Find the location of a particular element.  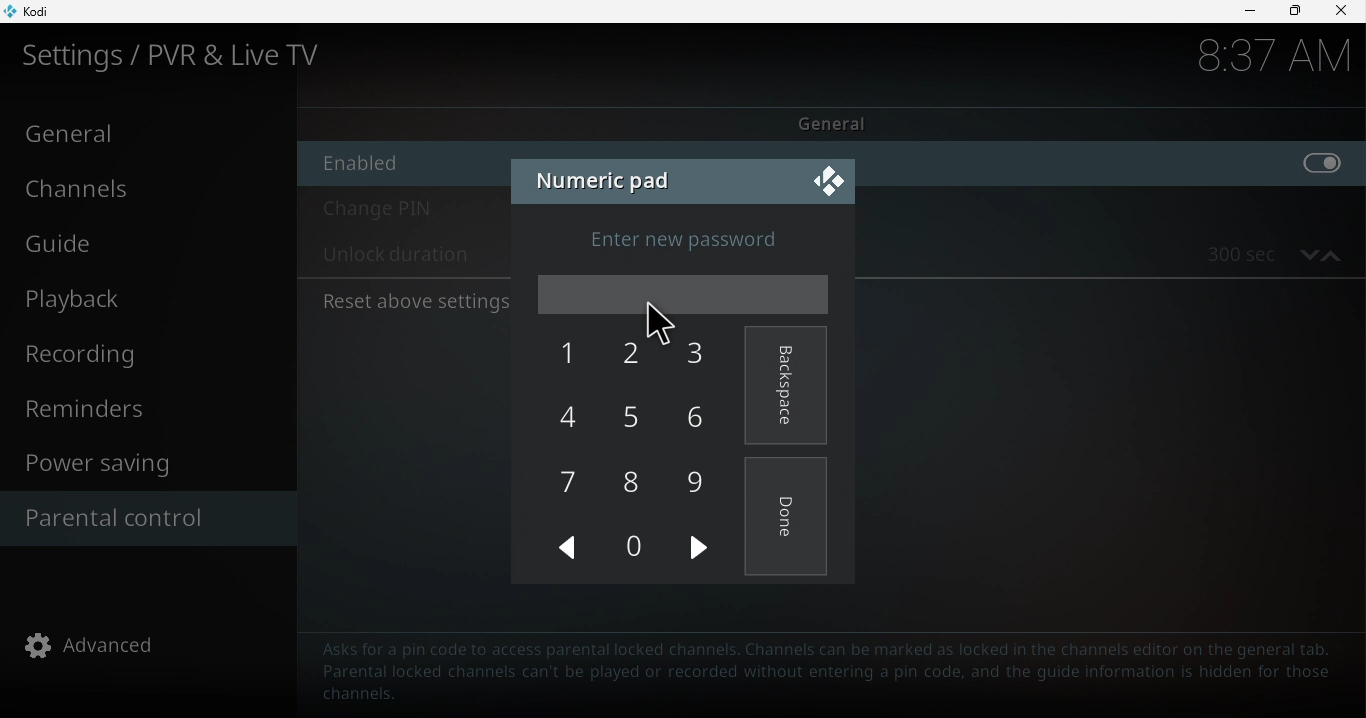

close is located at coordinates (1344, 13).